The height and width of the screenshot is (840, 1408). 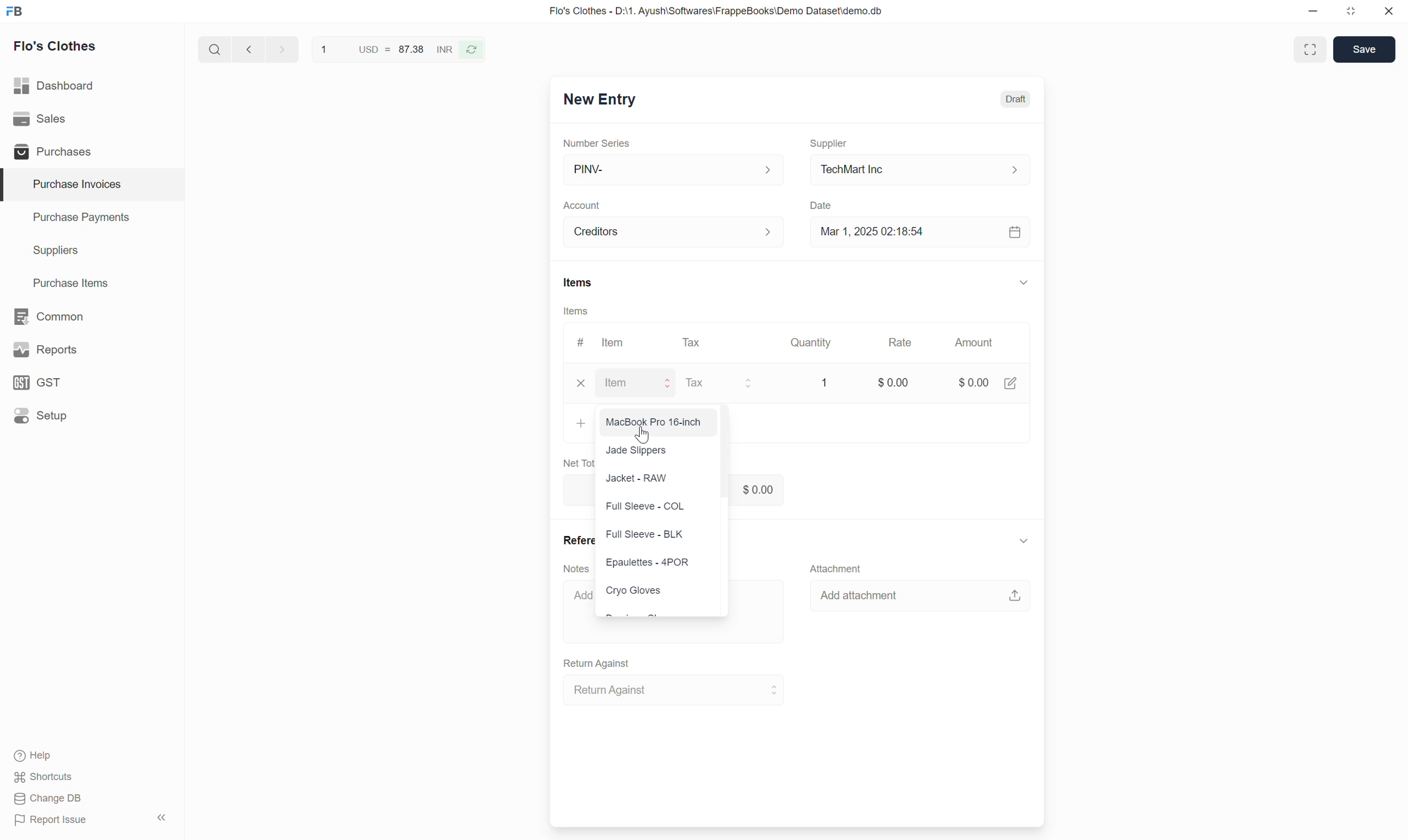 What do you see at coordinates (14, 11) in the screenshot?
I see `Frappe Books logo` at bounding box center [14, 11].